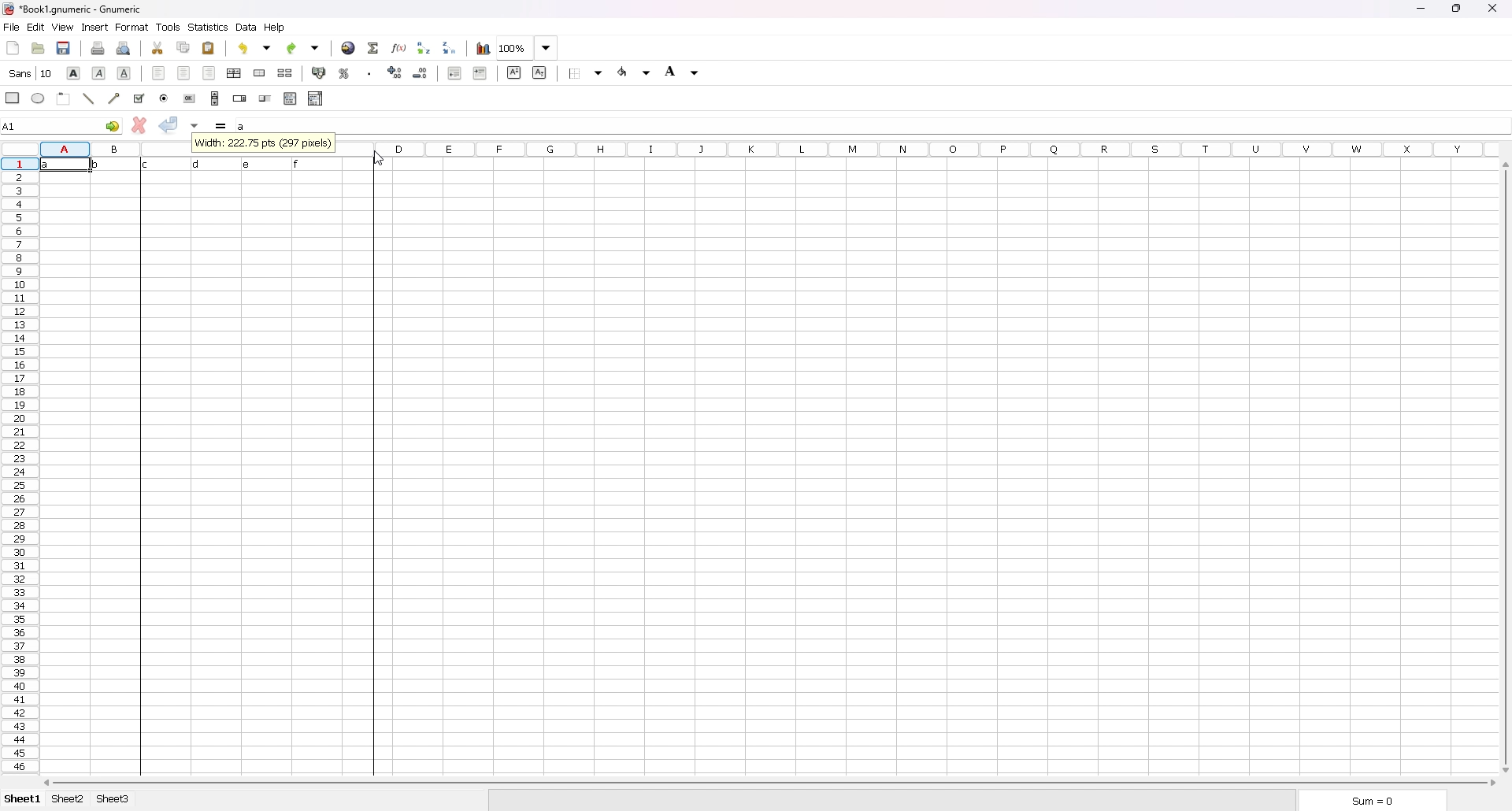  I want to click on insert, so click(94, 27).